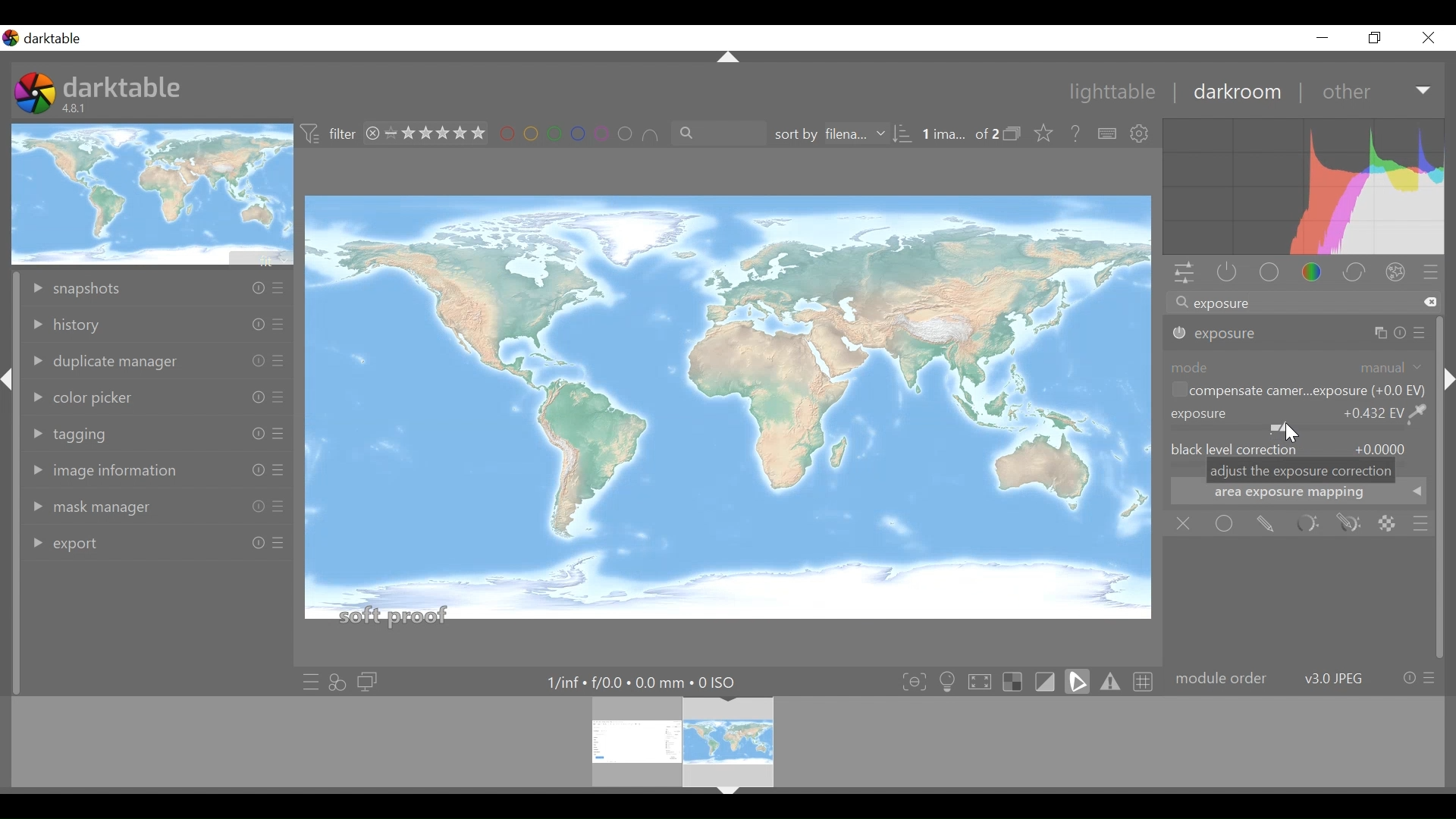 The image size is (1456, 819). What do you see at coordinates (253, 435) in the screenshot?
I see `` at bounding box center [253, 435].